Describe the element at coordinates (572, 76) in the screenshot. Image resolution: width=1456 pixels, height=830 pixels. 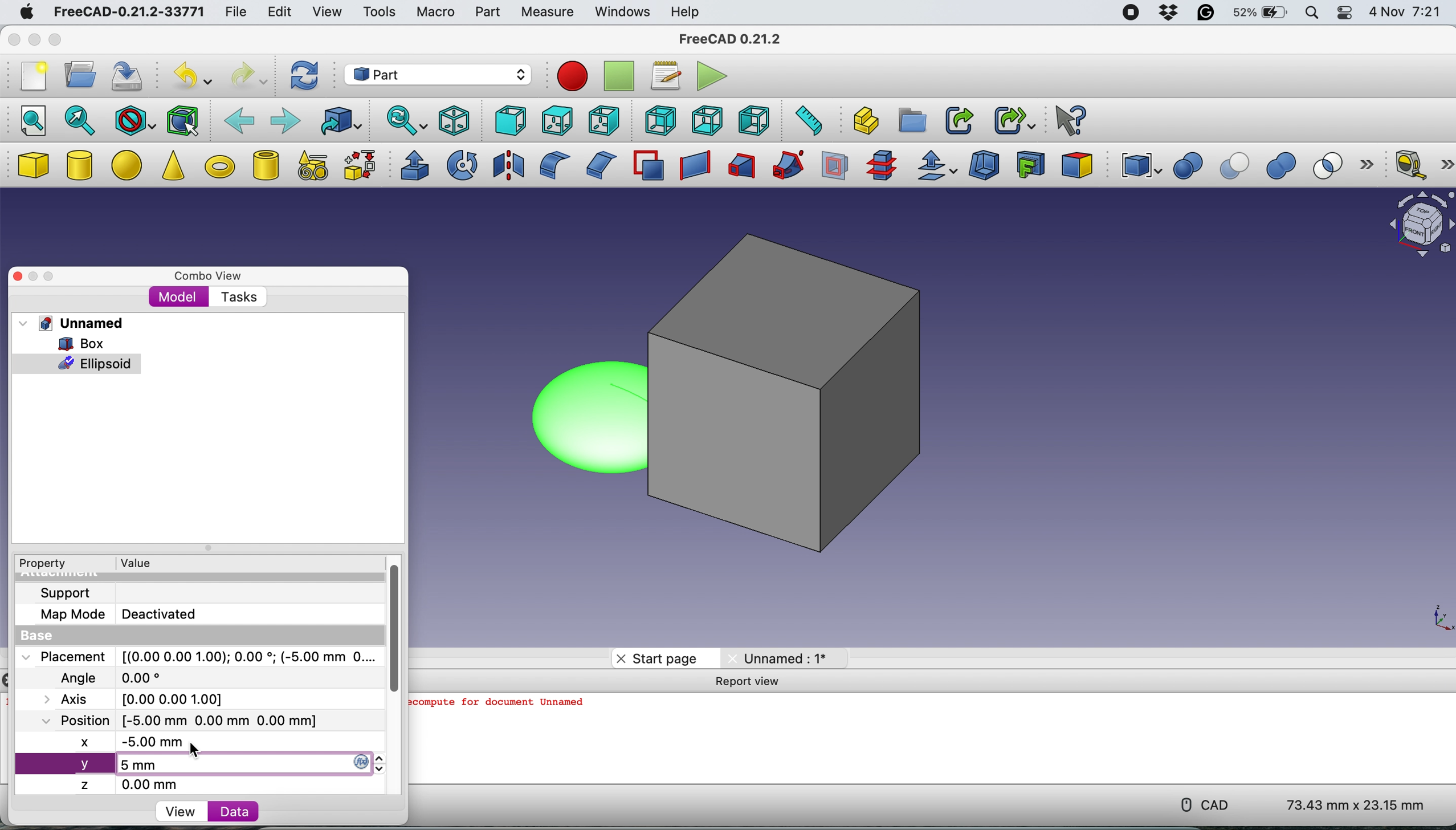
I see `record macros` at that location.